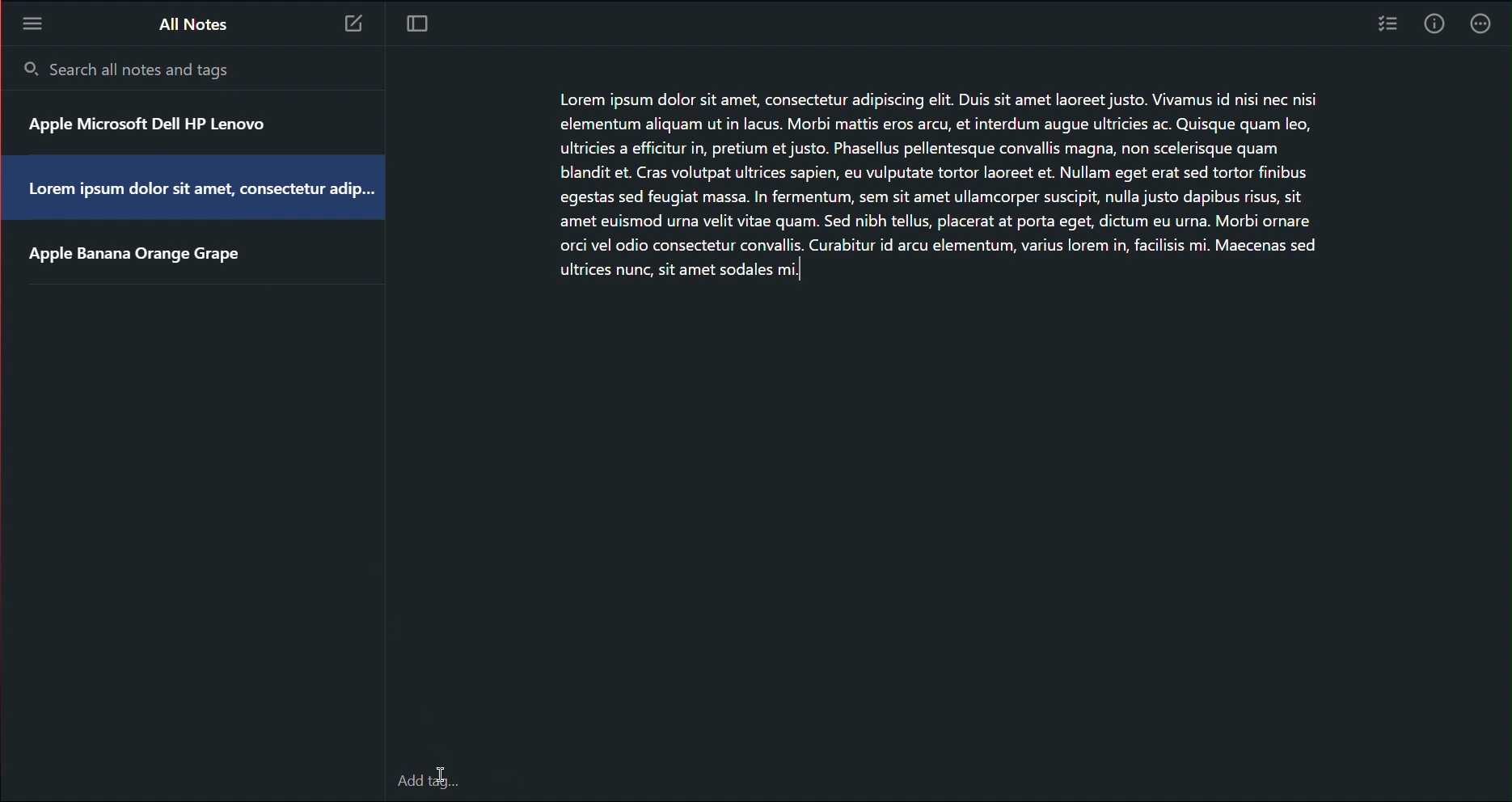  What do you see at coordinates (441, 778) in the screenshot?
I see `Cursor` at bounding box center [441, 778].